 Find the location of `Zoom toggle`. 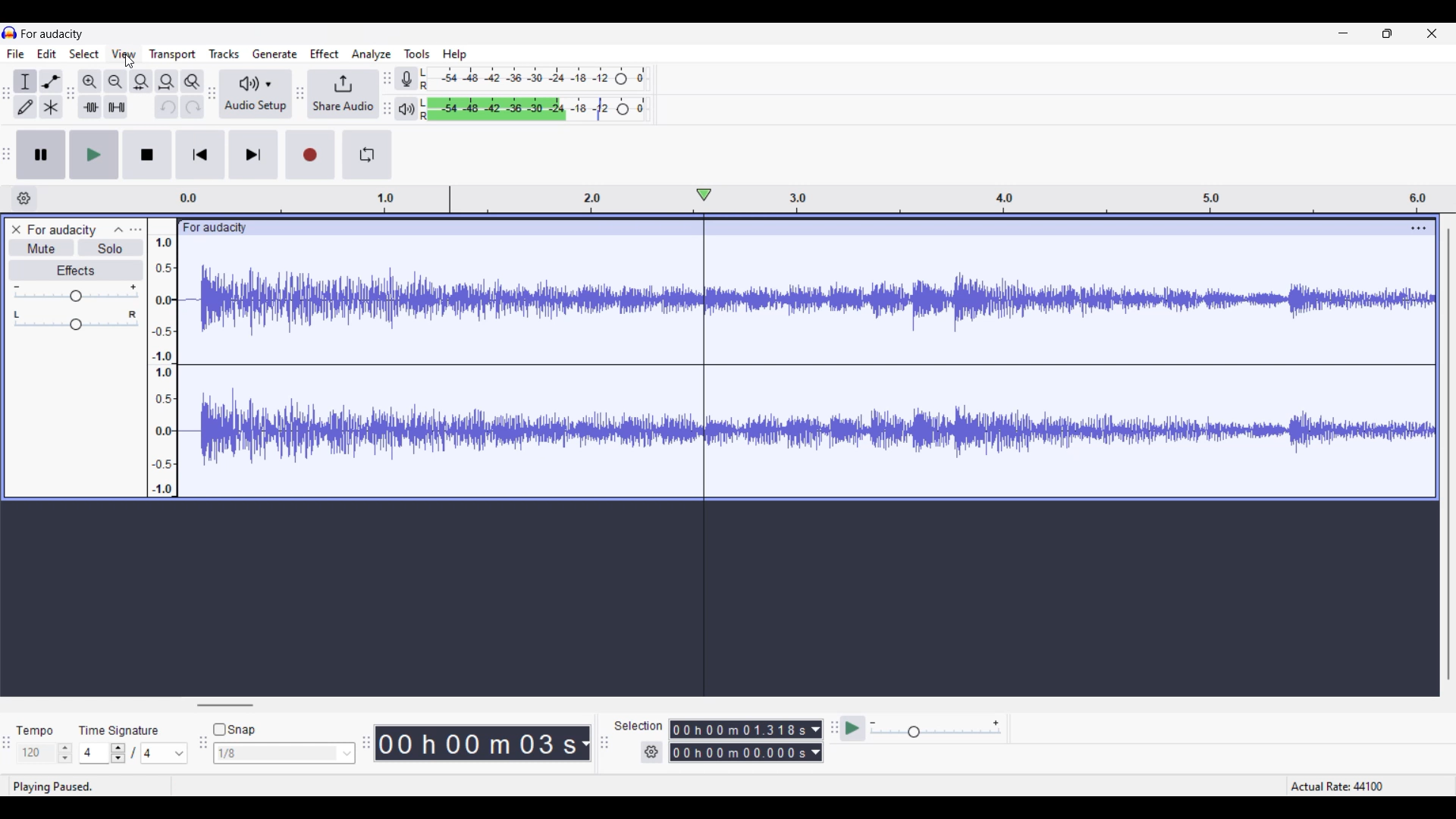

Zoom toggle is located at coordinates (193, 82).